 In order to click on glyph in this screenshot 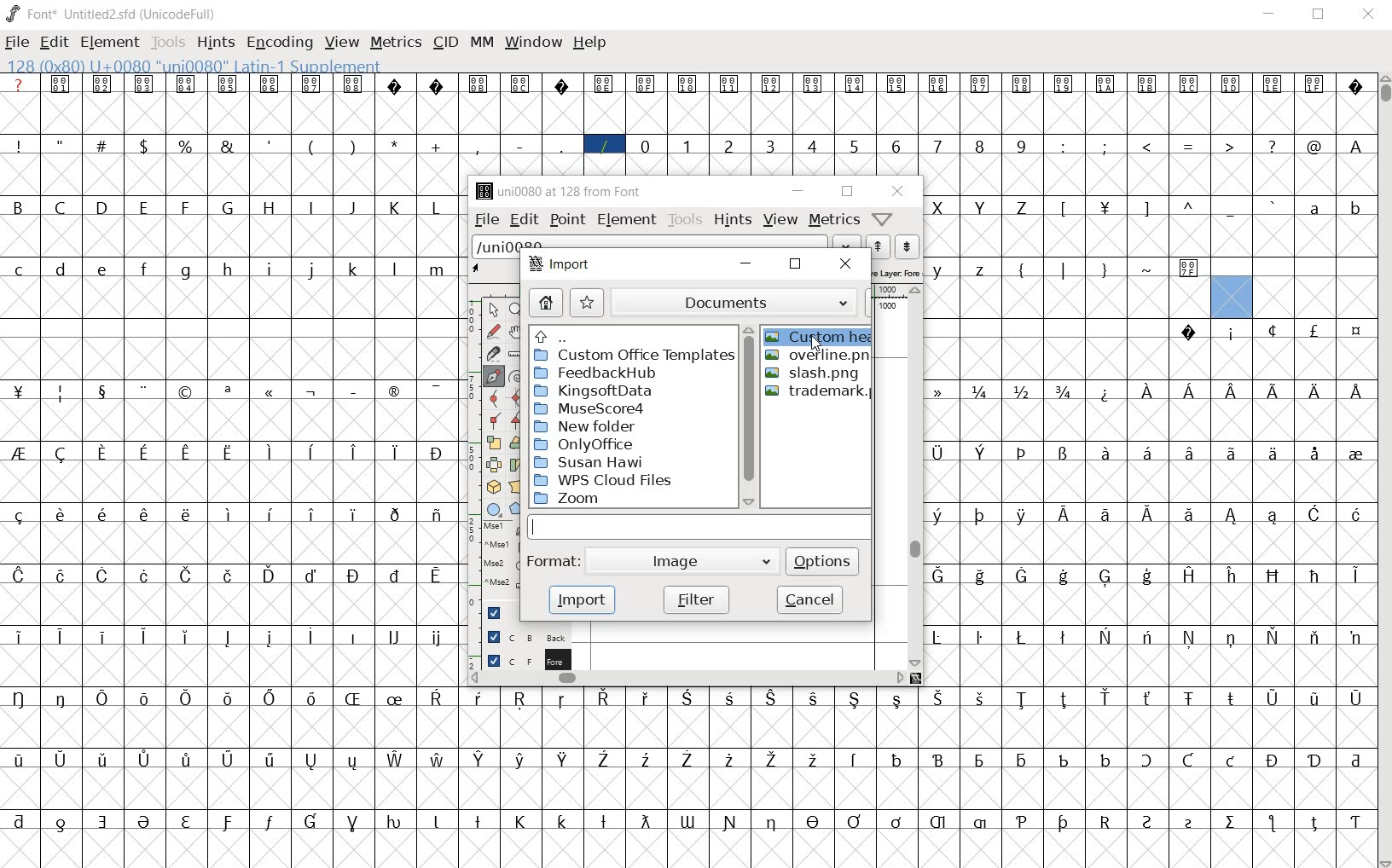, I will do `click(101, 144)`.